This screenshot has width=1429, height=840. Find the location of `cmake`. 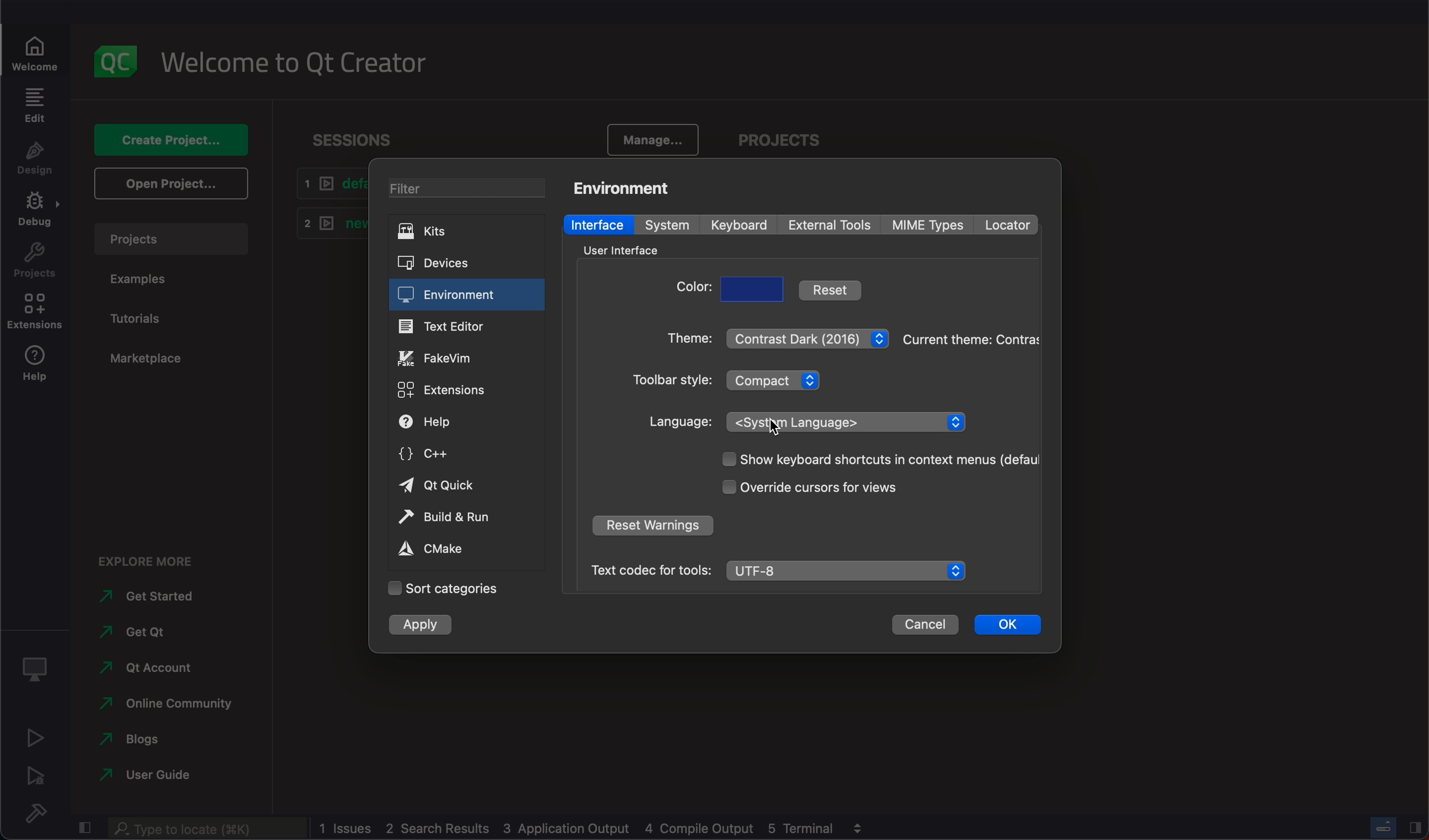

cmake is located at coordinates (455, 548).